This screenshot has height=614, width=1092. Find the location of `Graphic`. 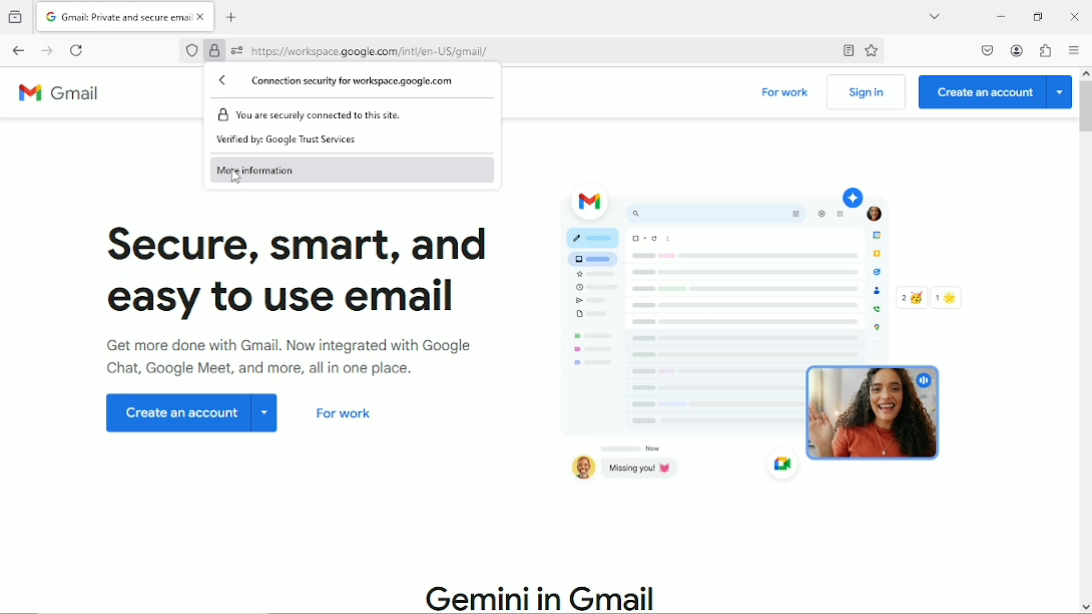

Graphic is located at coordinates (758, 335).